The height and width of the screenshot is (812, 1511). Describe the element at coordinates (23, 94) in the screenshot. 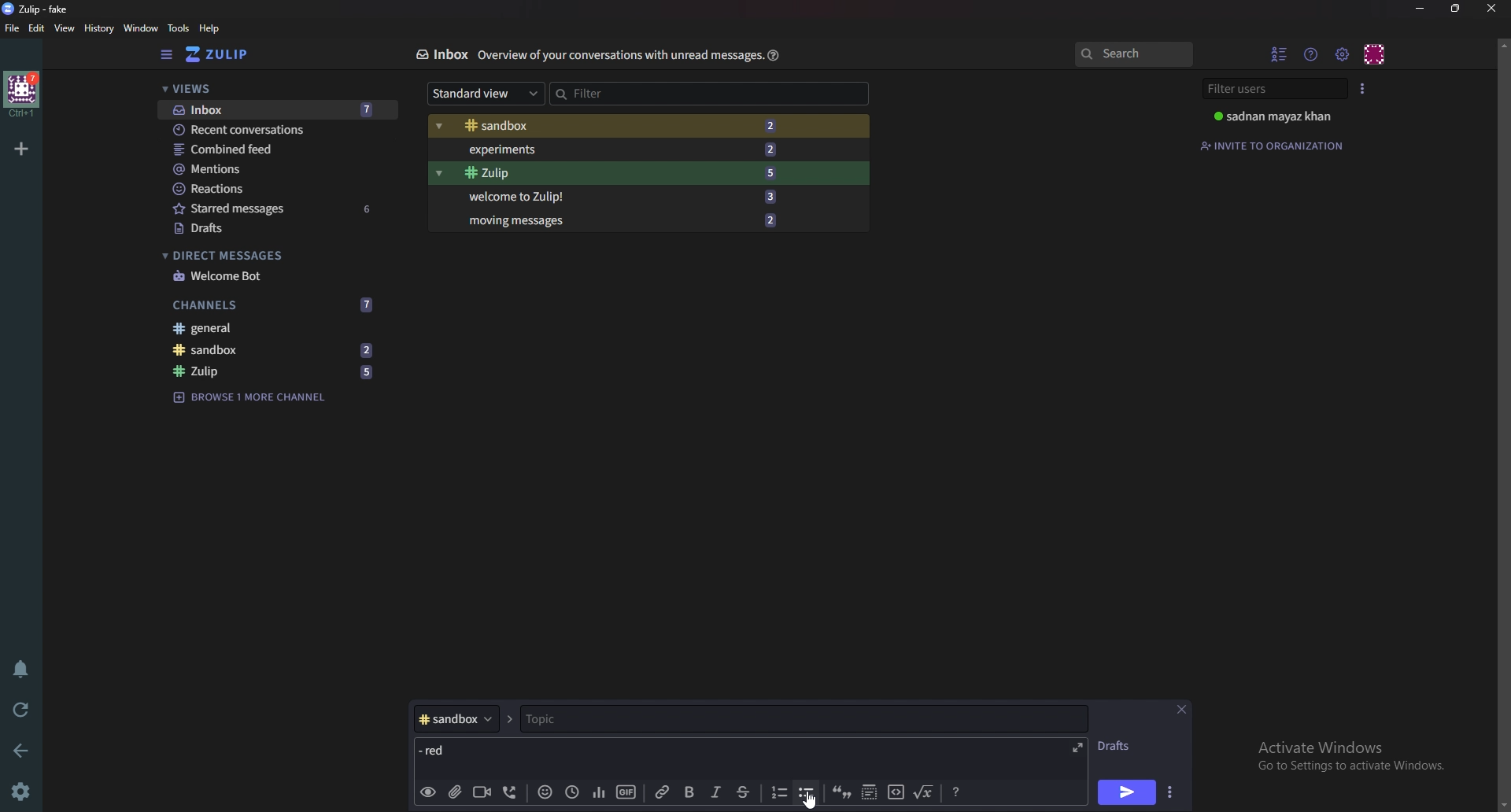

I see `Home` at that location.